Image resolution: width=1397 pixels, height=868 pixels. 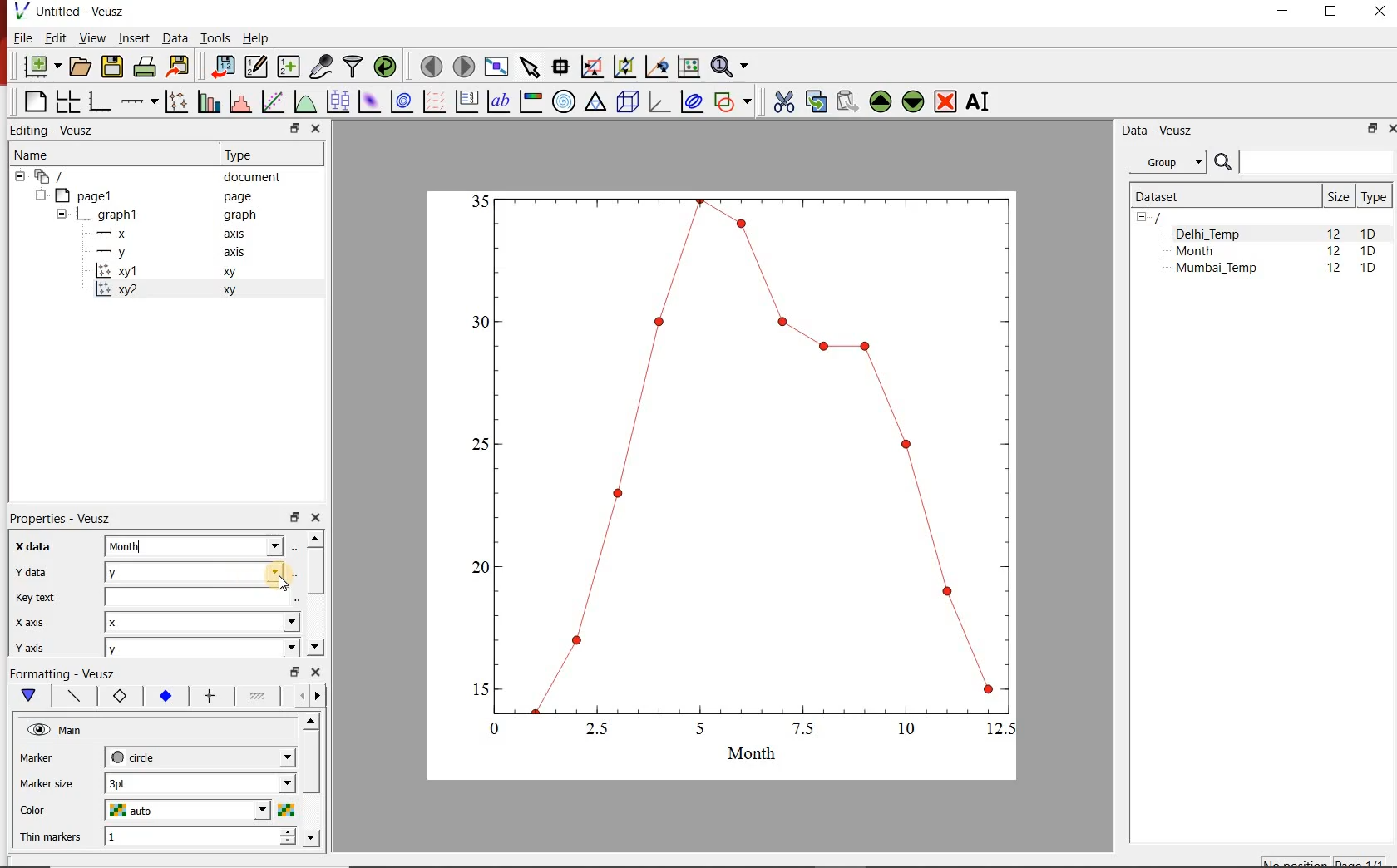 What do you see at coordinates (1338, 196) in the screenshot?
I see `Size` at bounding box center [1338, 196].